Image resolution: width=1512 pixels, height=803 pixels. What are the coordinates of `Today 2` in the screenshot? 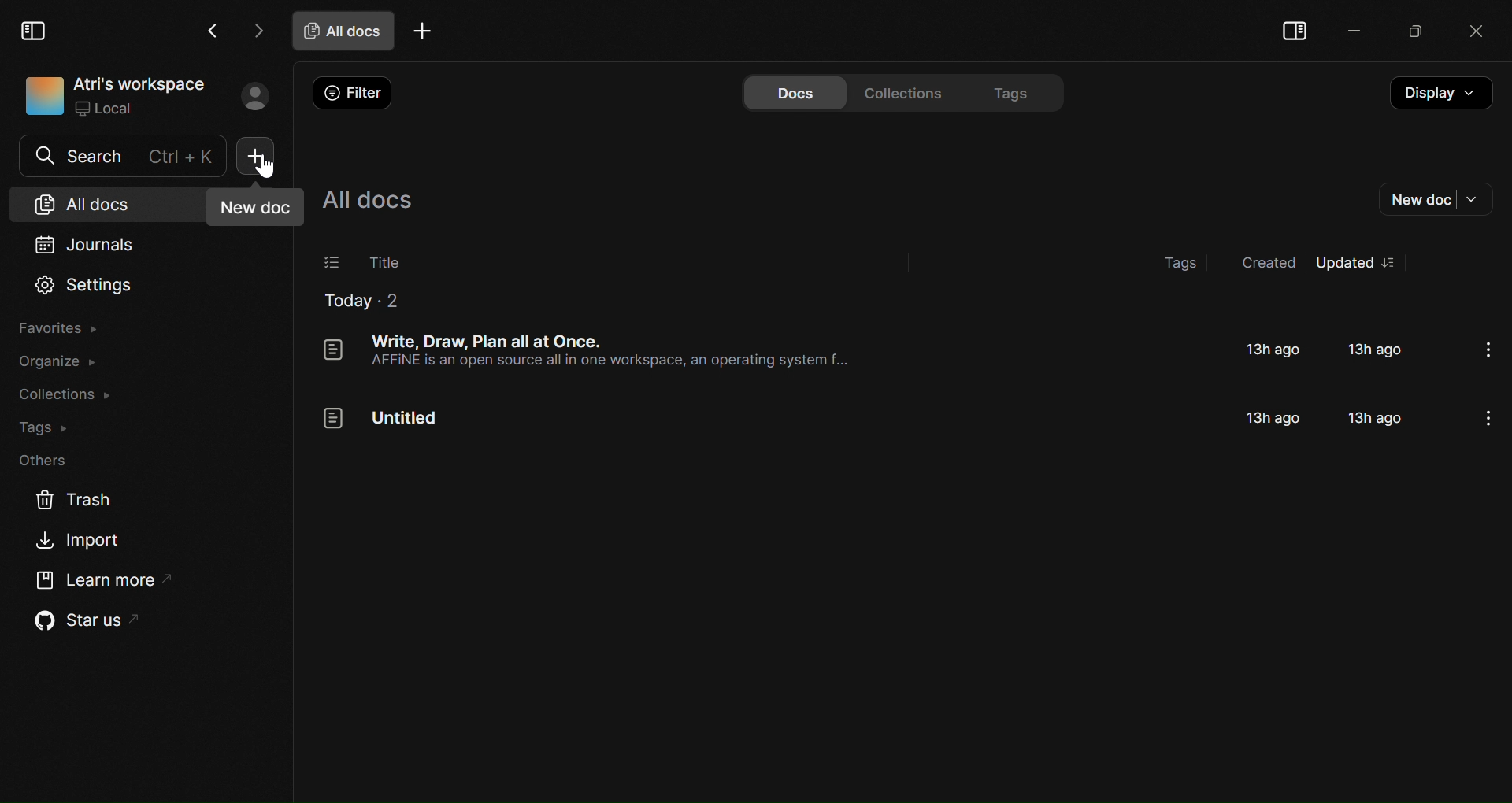 It's located at (361, 302).